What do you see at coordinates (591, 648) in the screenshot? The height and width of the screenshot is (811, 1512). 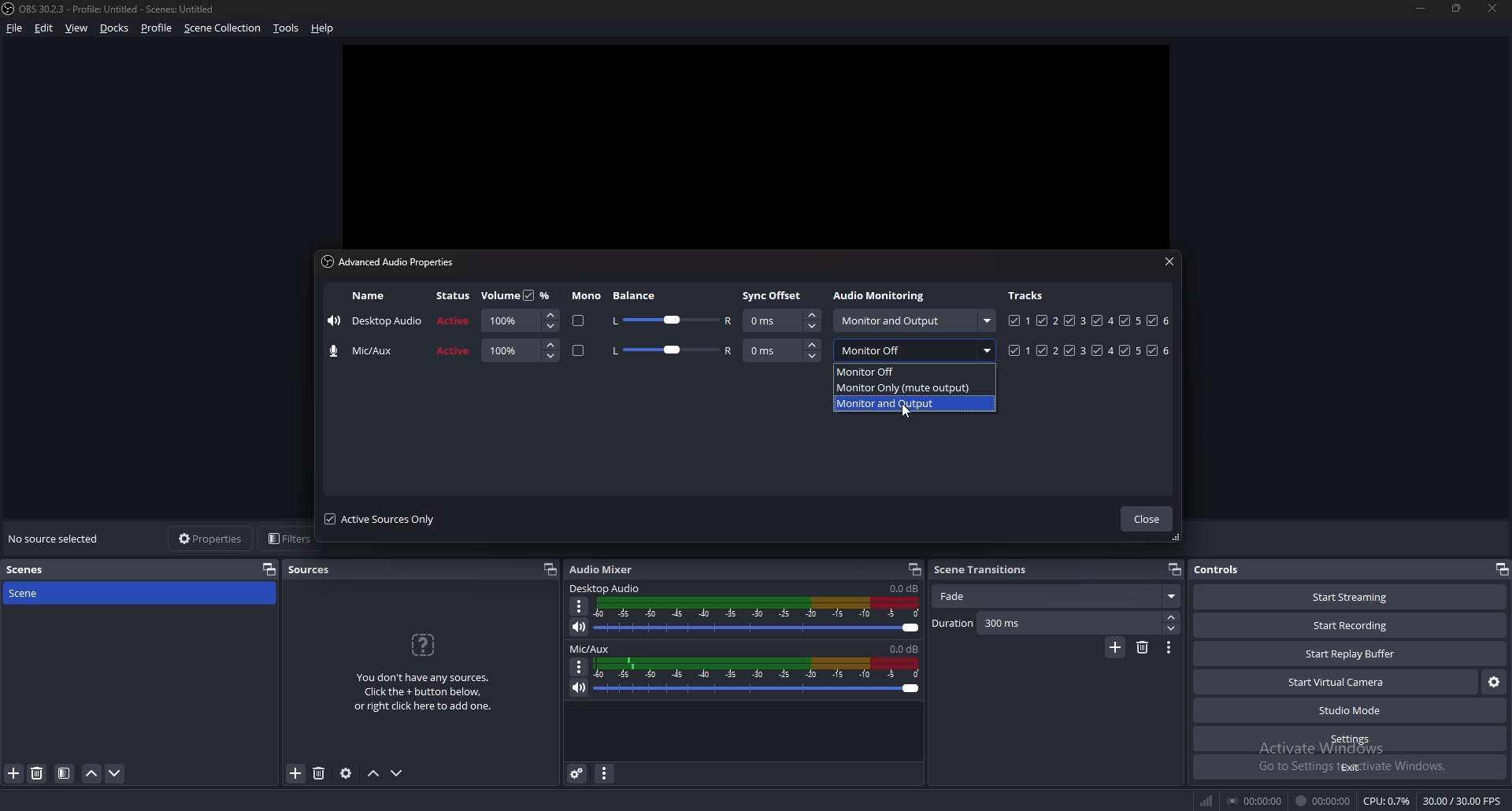 I see `mic/aux` at bounding box center [591, 648].